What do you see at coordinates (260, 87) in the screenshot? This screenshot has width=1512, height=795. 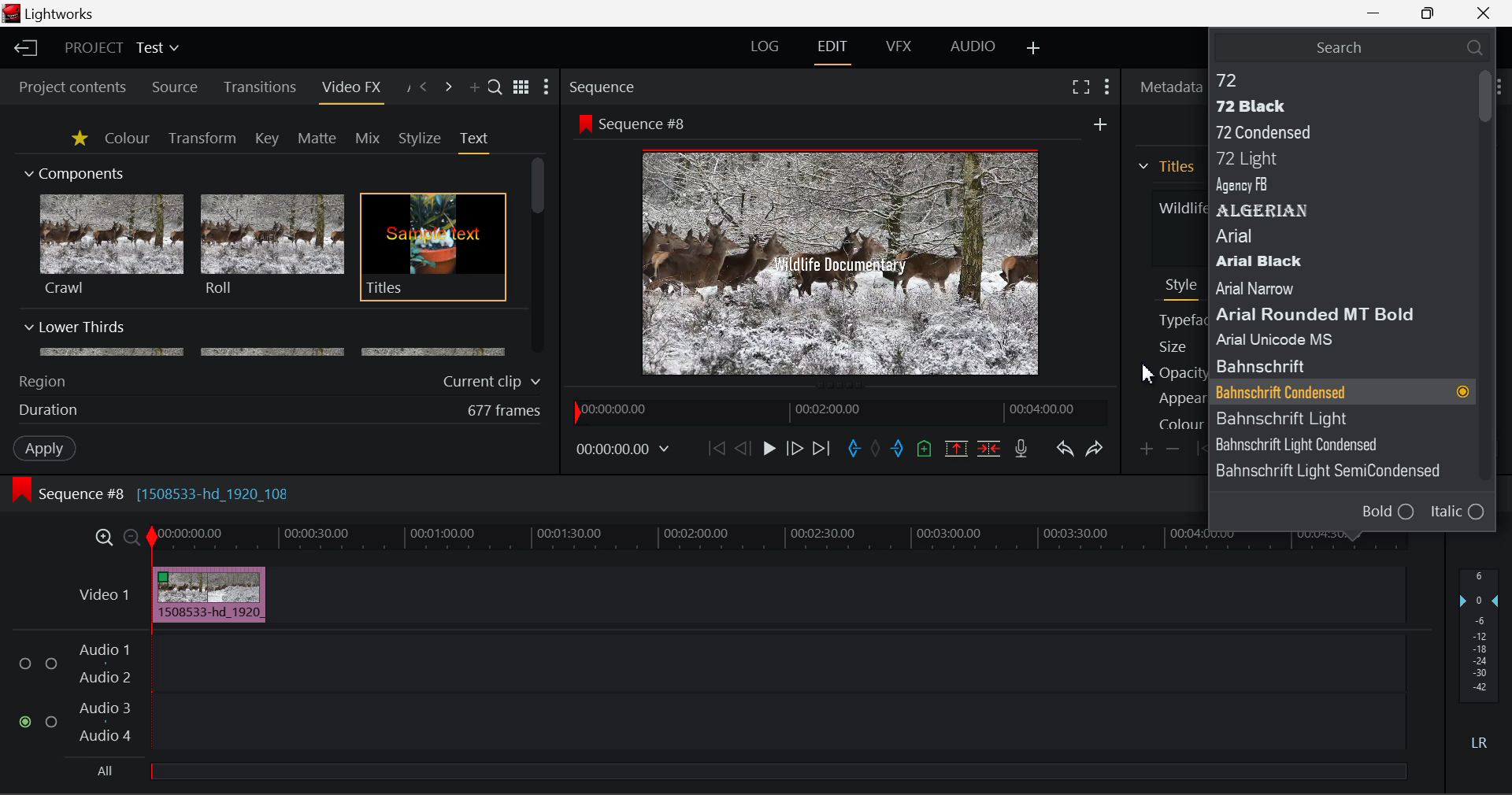 I see `Transitions` at bounding box center [260, 87].